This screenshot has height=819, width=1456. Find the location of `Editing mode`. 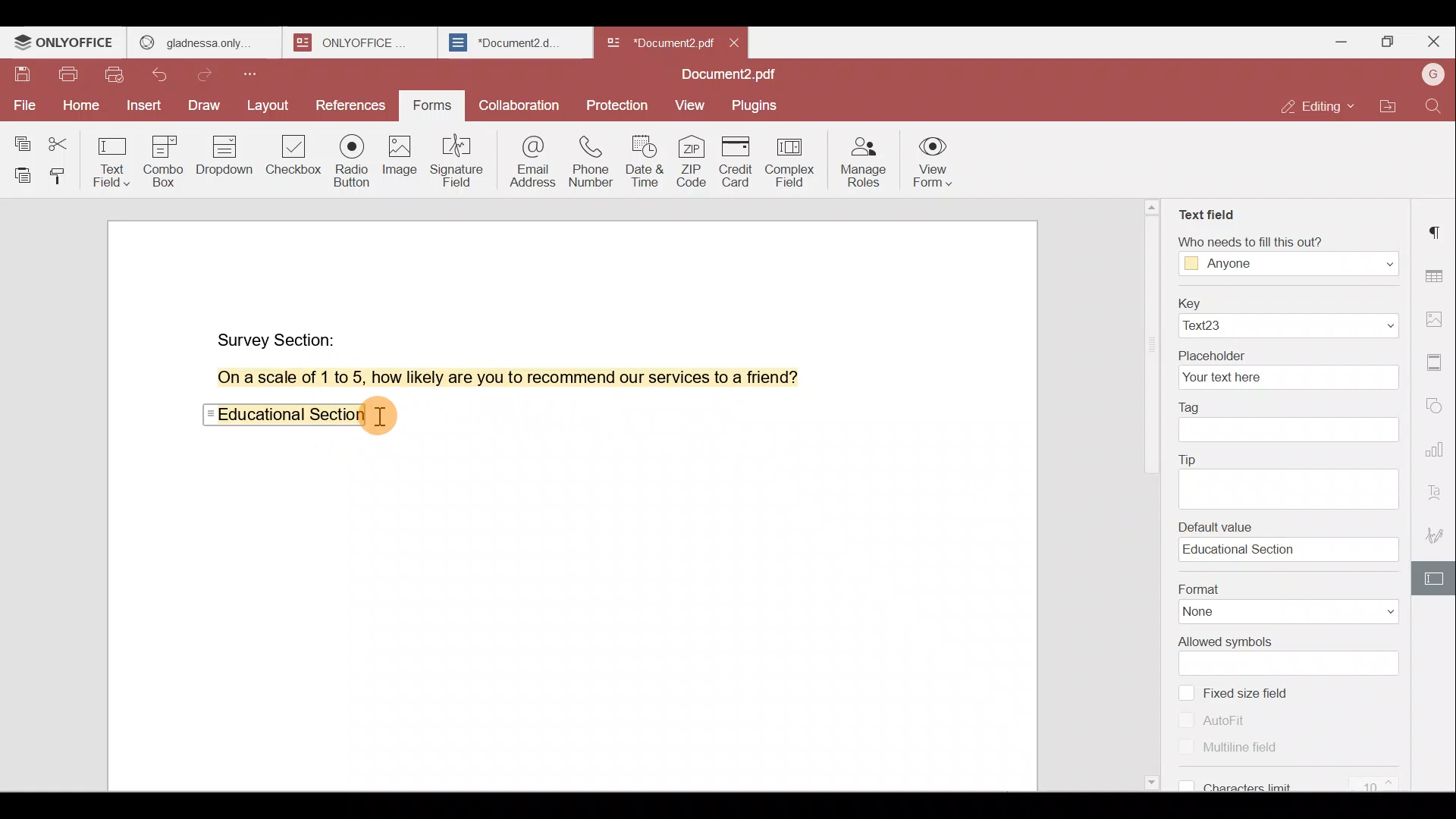

Editing mode is located at coordinates (1320, 106).